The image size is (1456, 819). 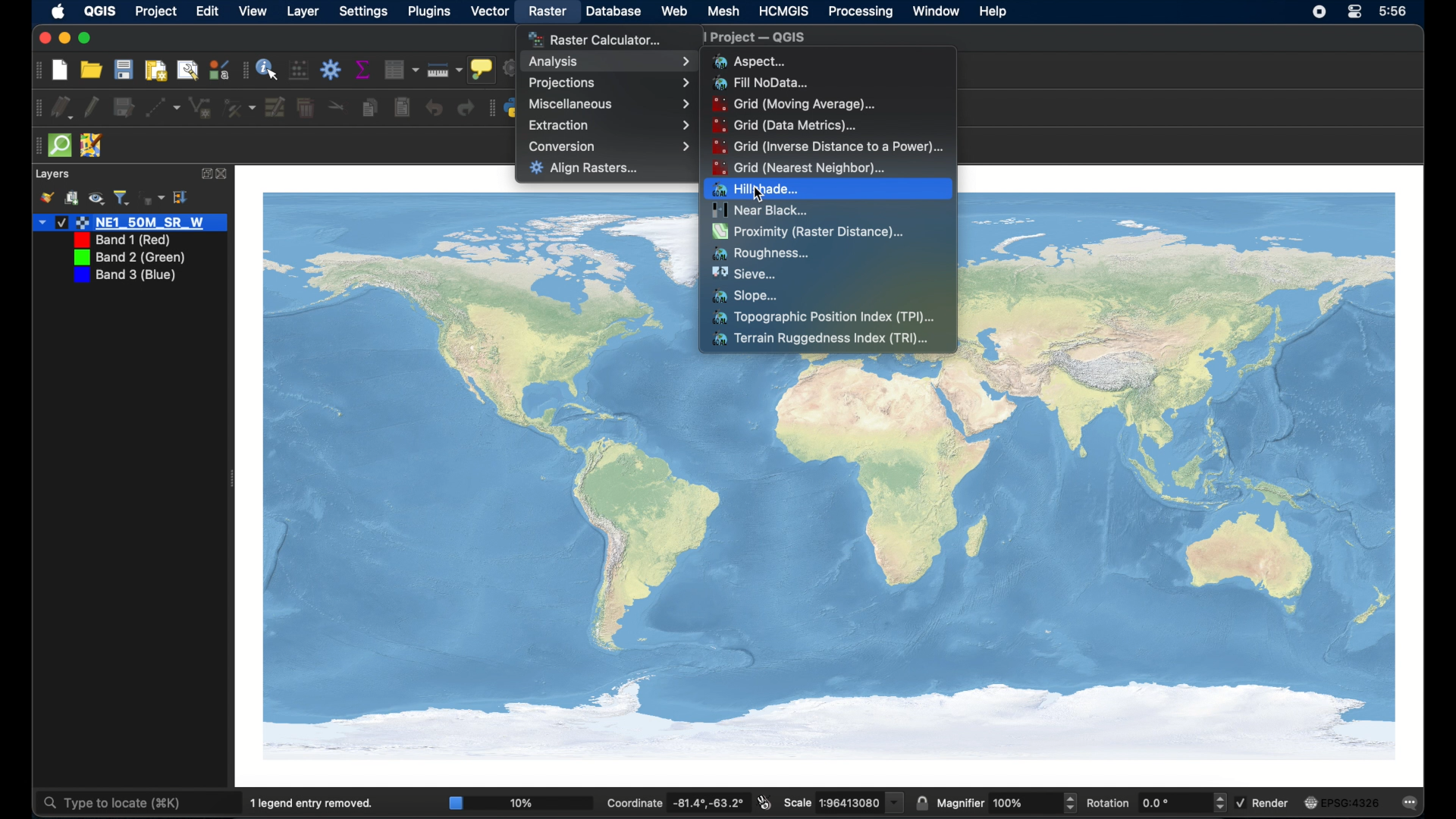 I want to click on layer 2, so click(x=118, y=240).